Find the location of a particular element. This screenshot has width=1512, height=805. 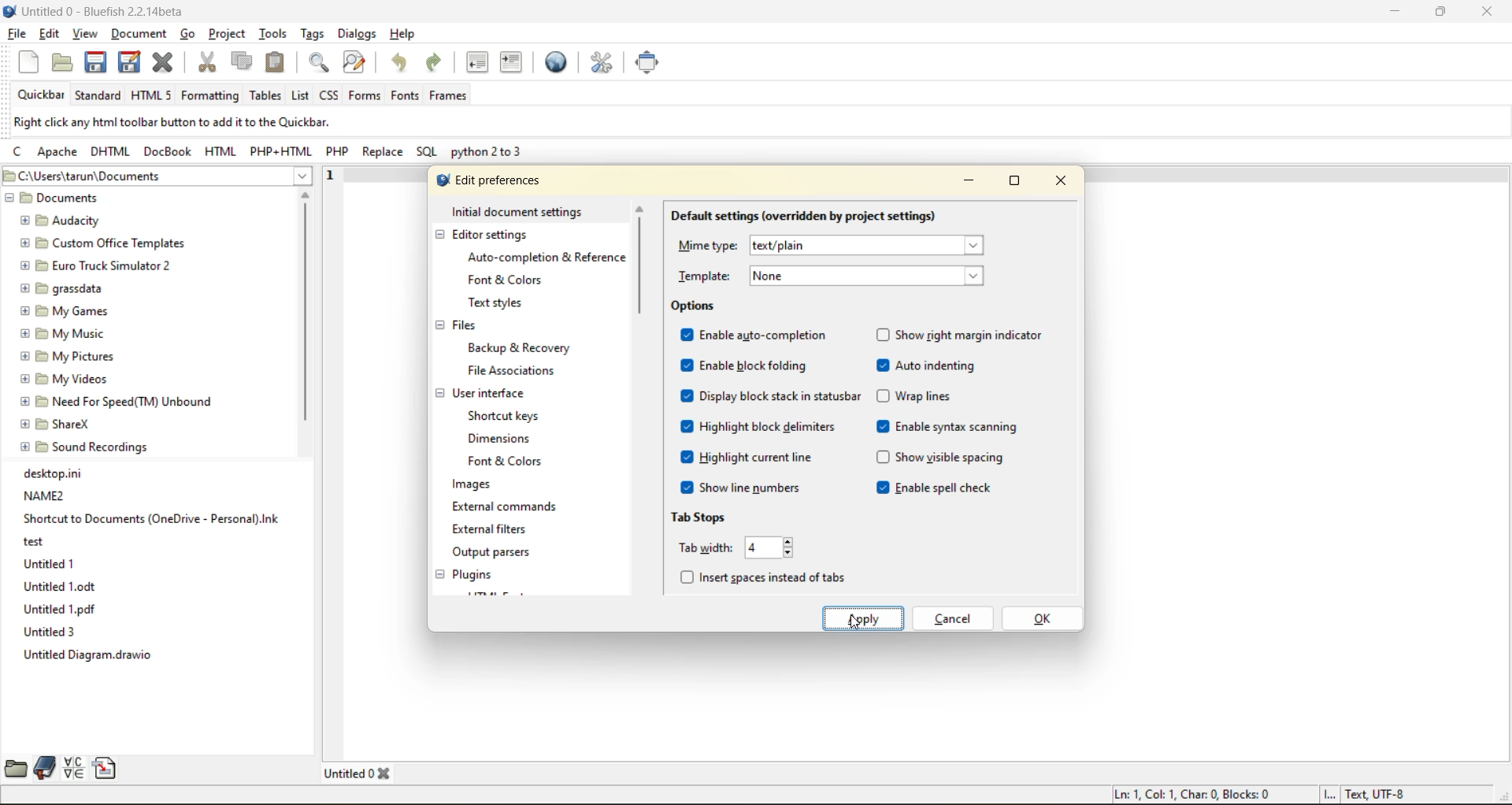

preview  in browser is located at coordinates (561, 62).